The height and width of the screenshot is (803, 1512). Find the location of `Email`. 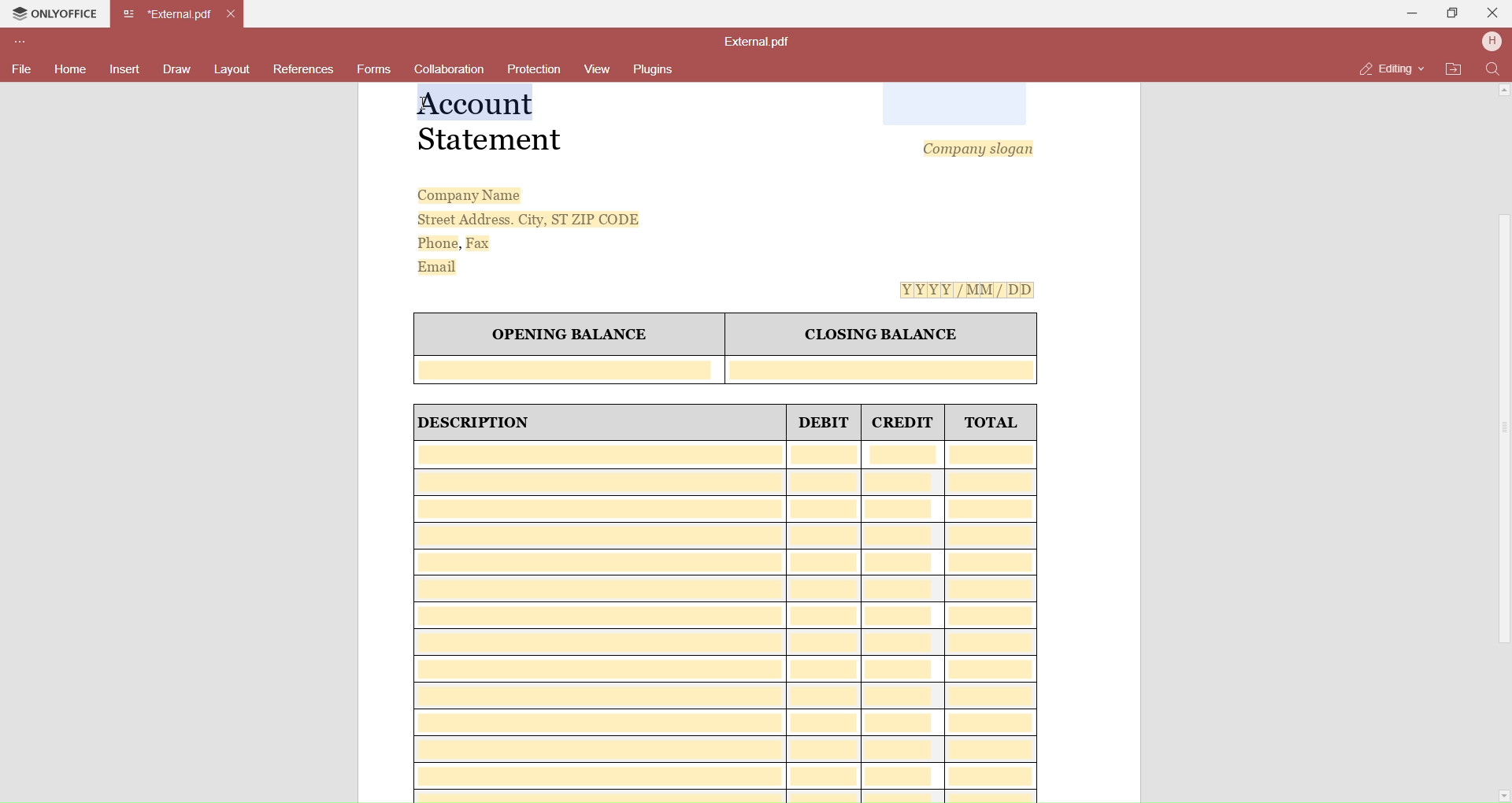

Email is located at coordinates (442, 265).